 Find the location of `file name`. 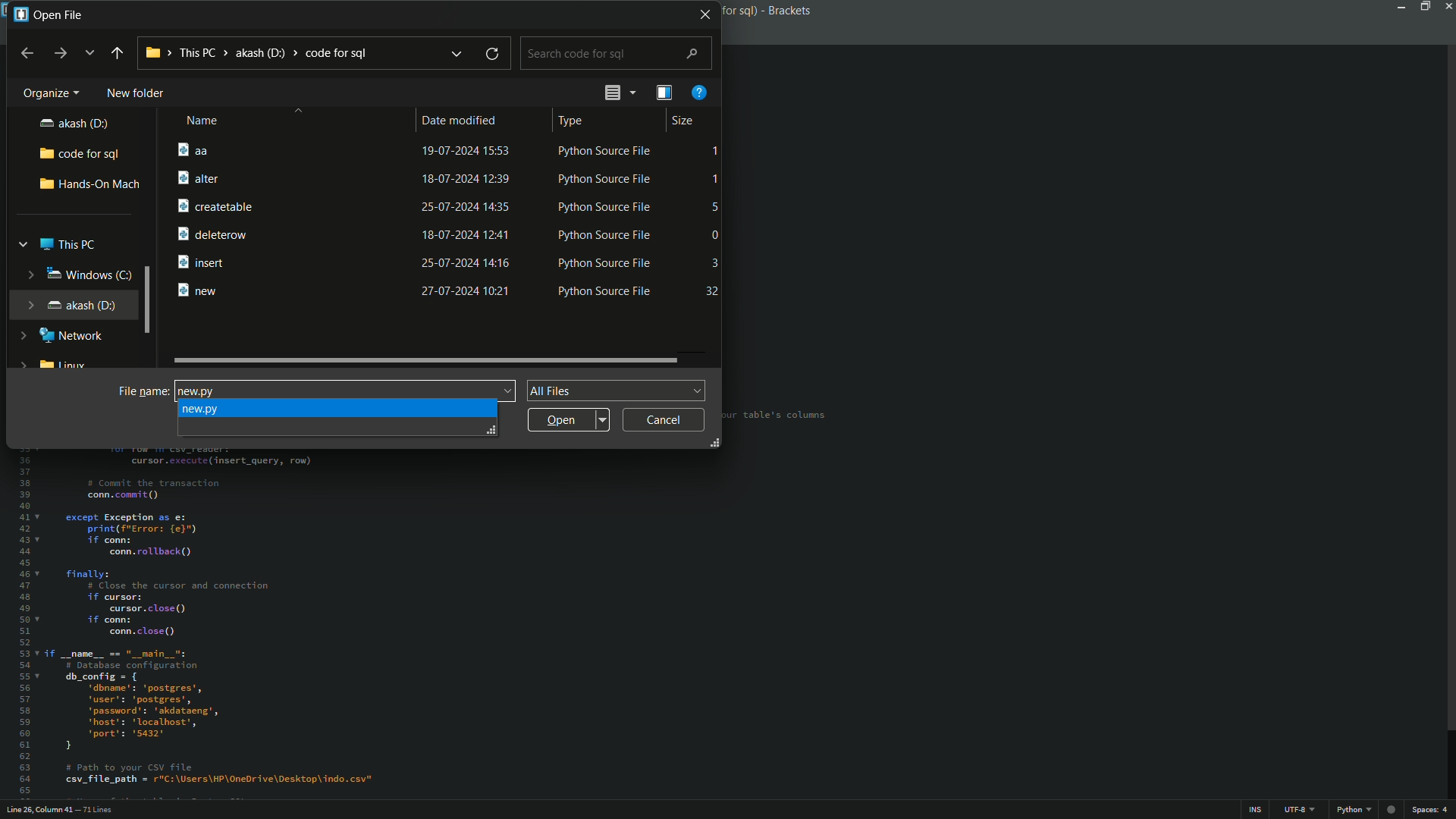

file name is located at coordinates (141, 391).